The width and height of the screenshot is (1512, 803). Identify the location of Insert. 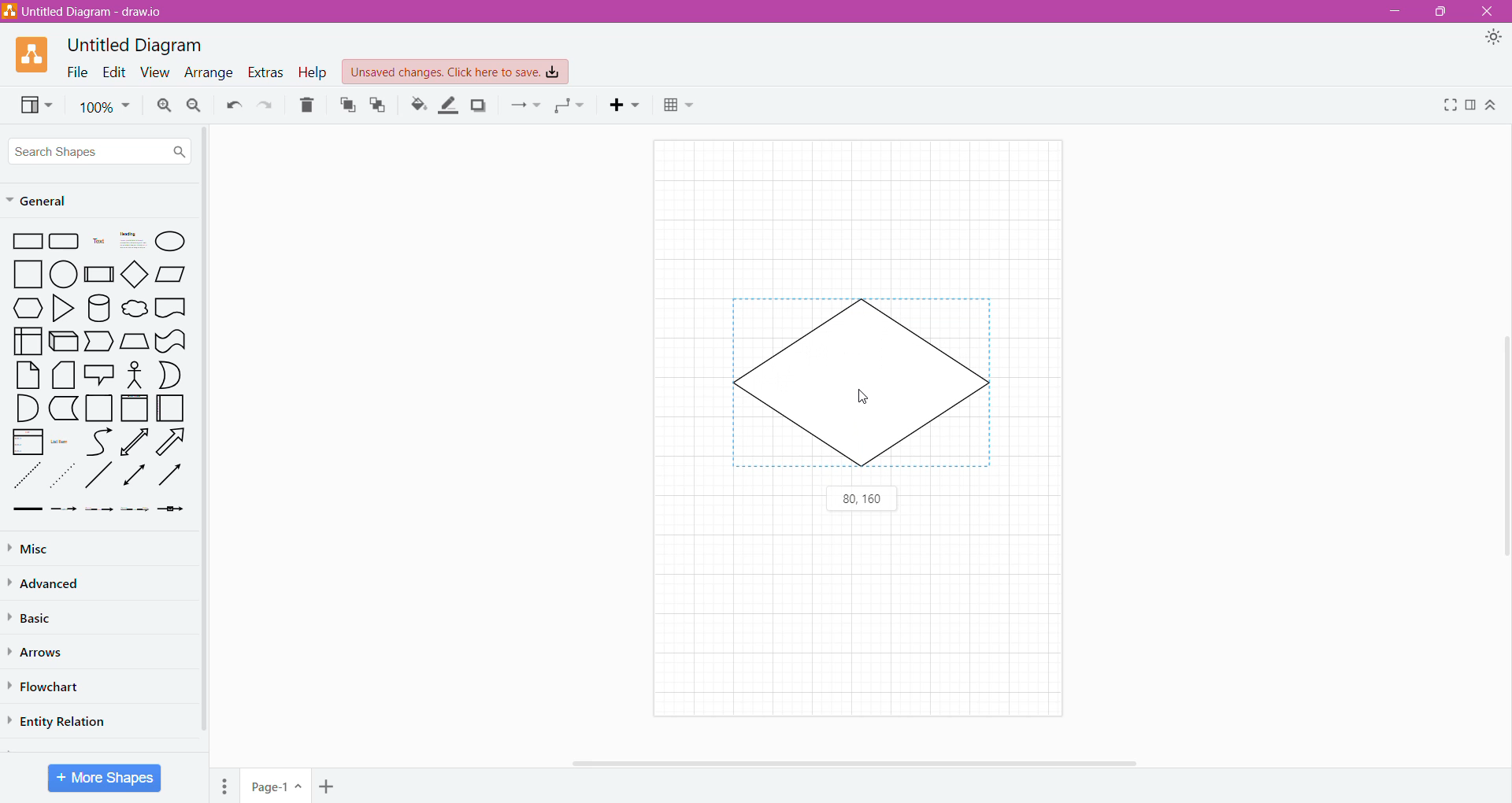
(628, 105).